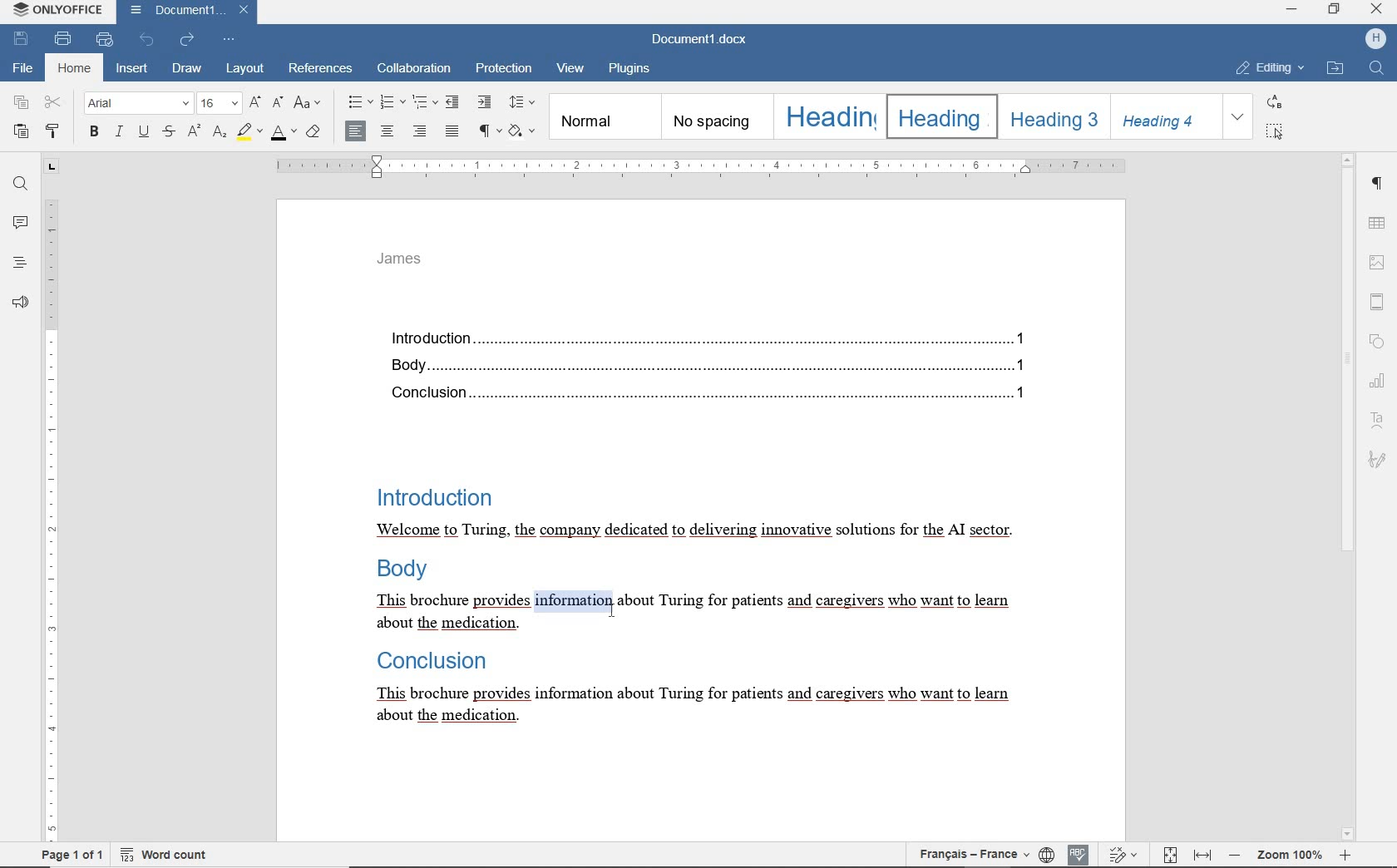 This screenshot has width=1397, height=868. Describe the element at coordinates (69, 855) in the screenshot. I see `PAGE 1 OF 1` at that location.